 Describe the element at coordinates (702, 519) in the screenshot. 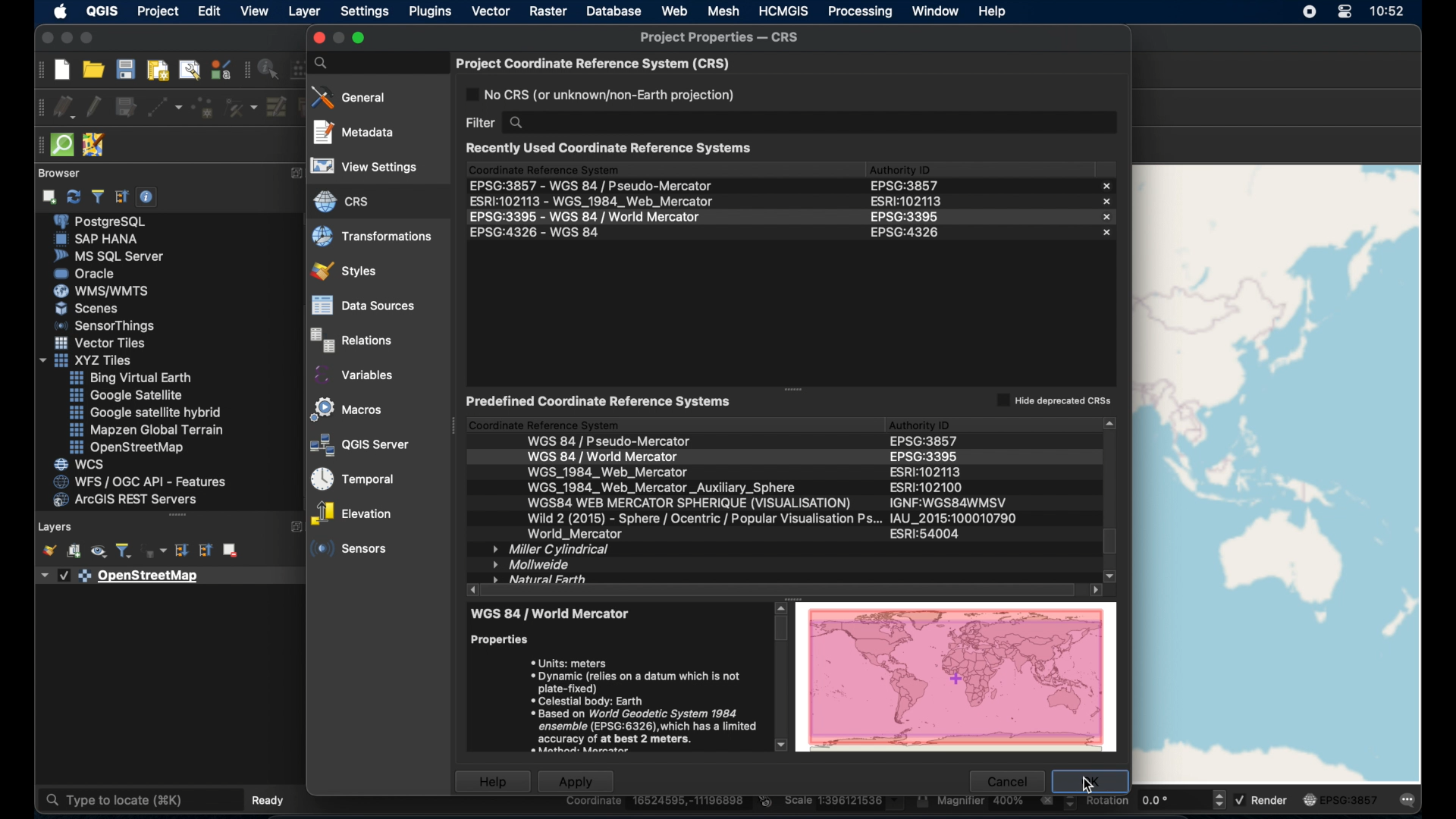

I see `wild 2 (2015` at that location.